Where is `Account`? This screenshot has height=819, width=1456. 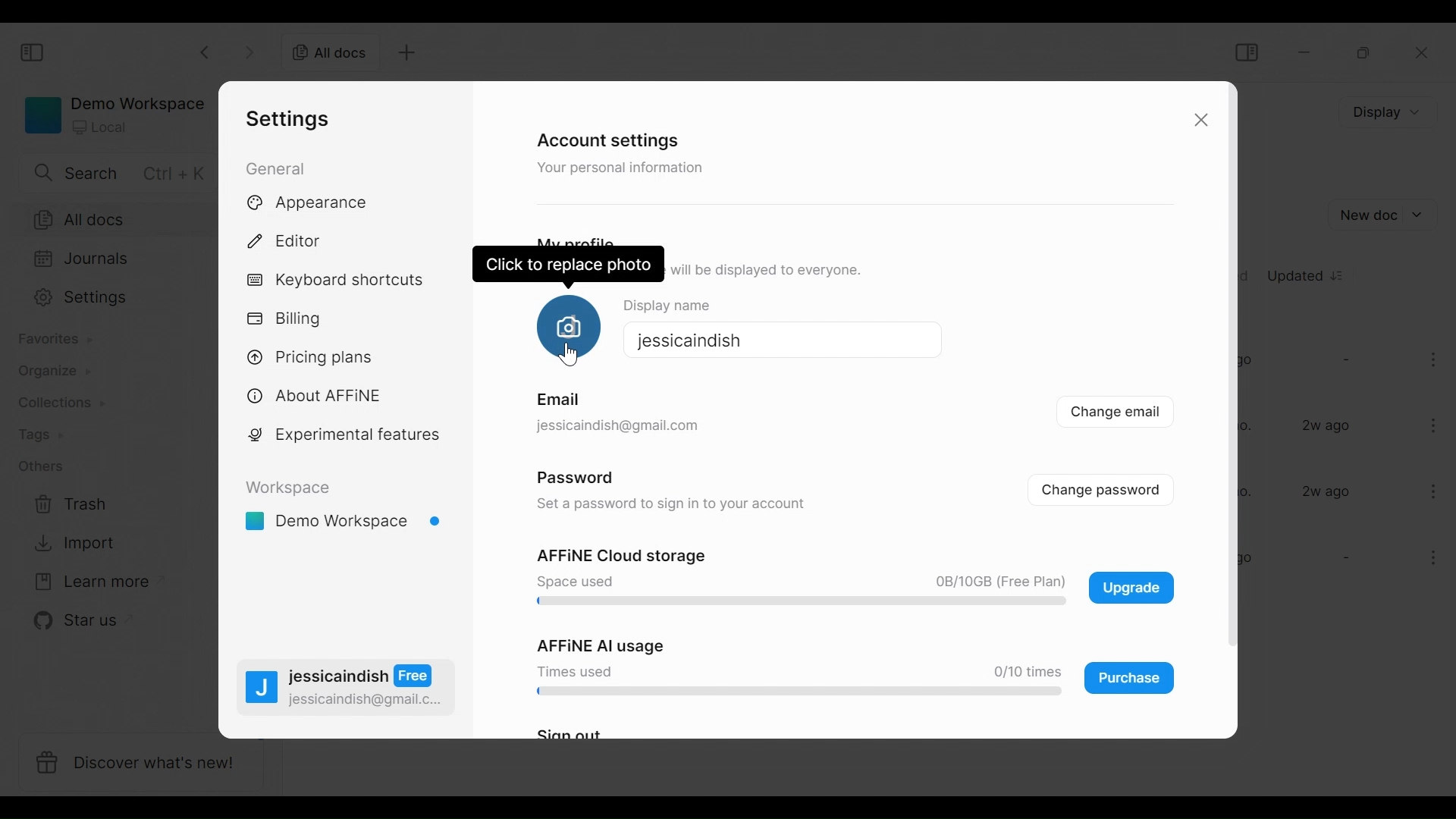
Account is located at coordinates (256, 565).